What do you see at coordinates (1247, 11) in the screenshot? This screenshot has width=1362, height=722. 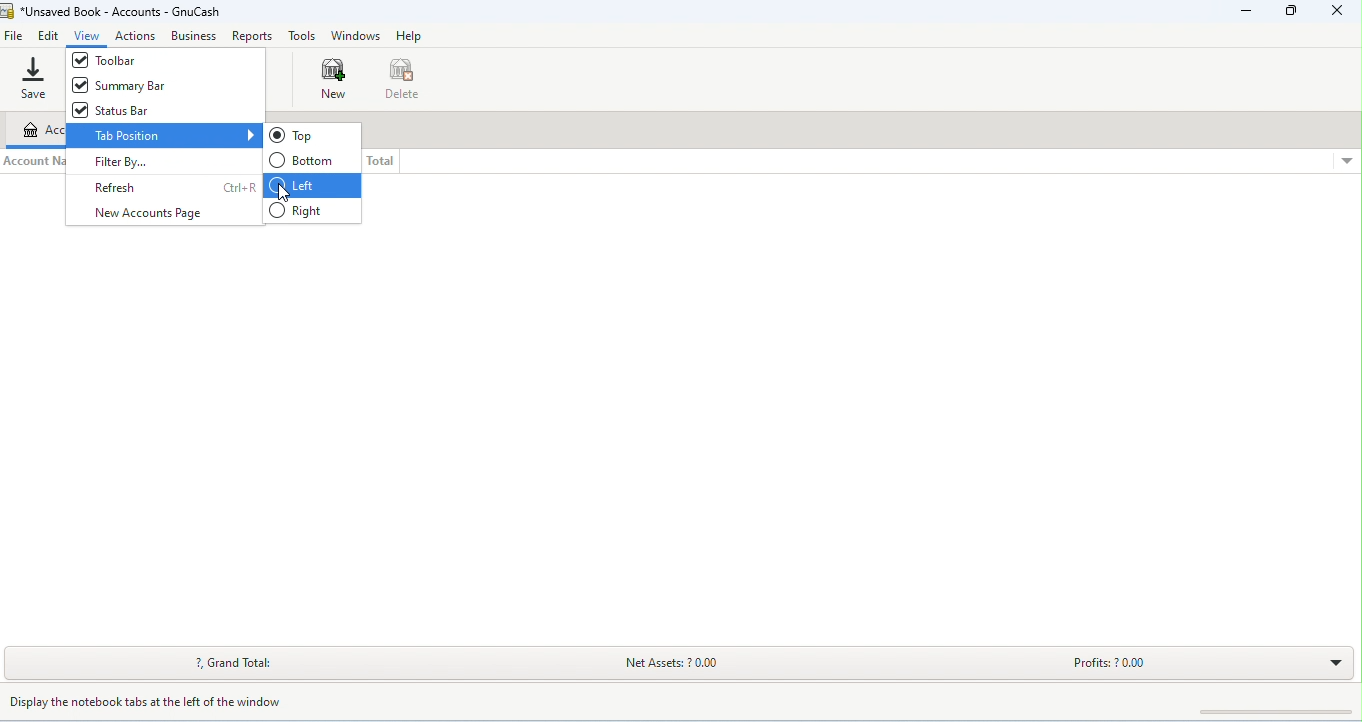 I see `minimize` at bounding box center [1247, 11].